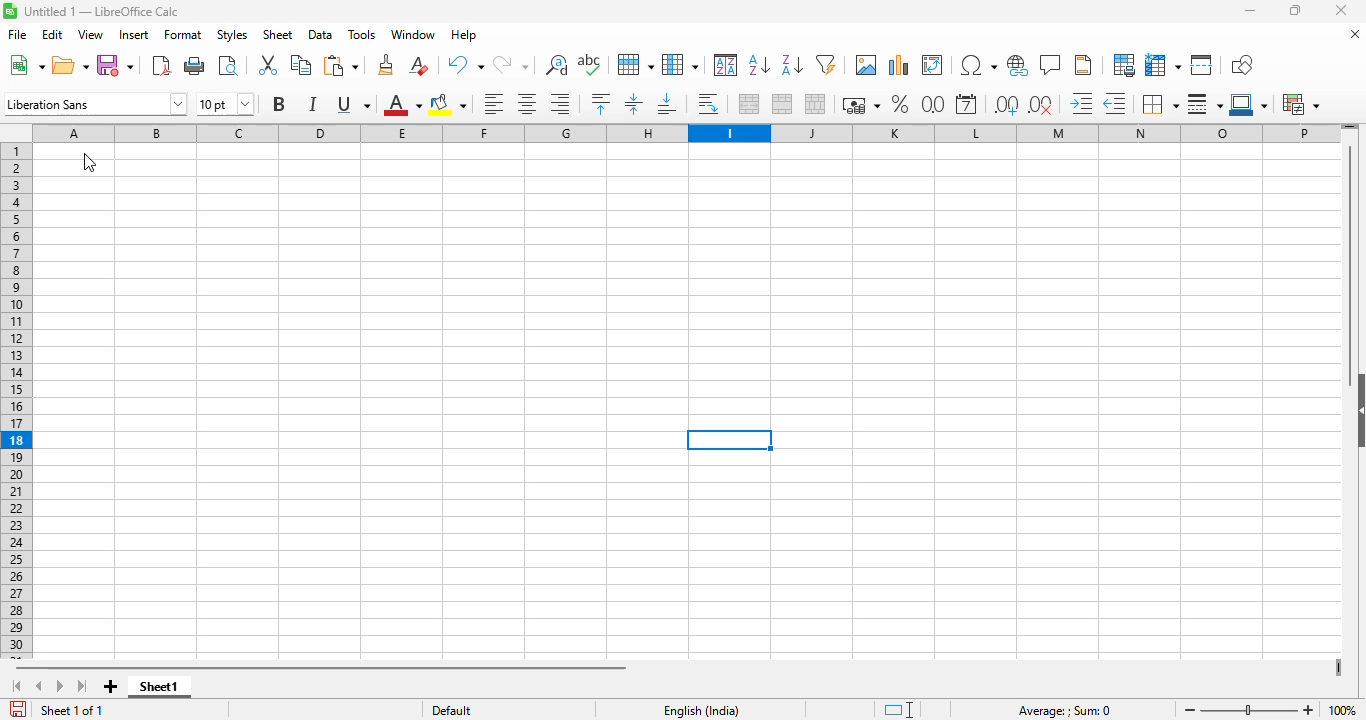 Image resolution: width=1366 pixels, height=720 pixels. I want to click on vertical scroll bar, so click(1351, 262).